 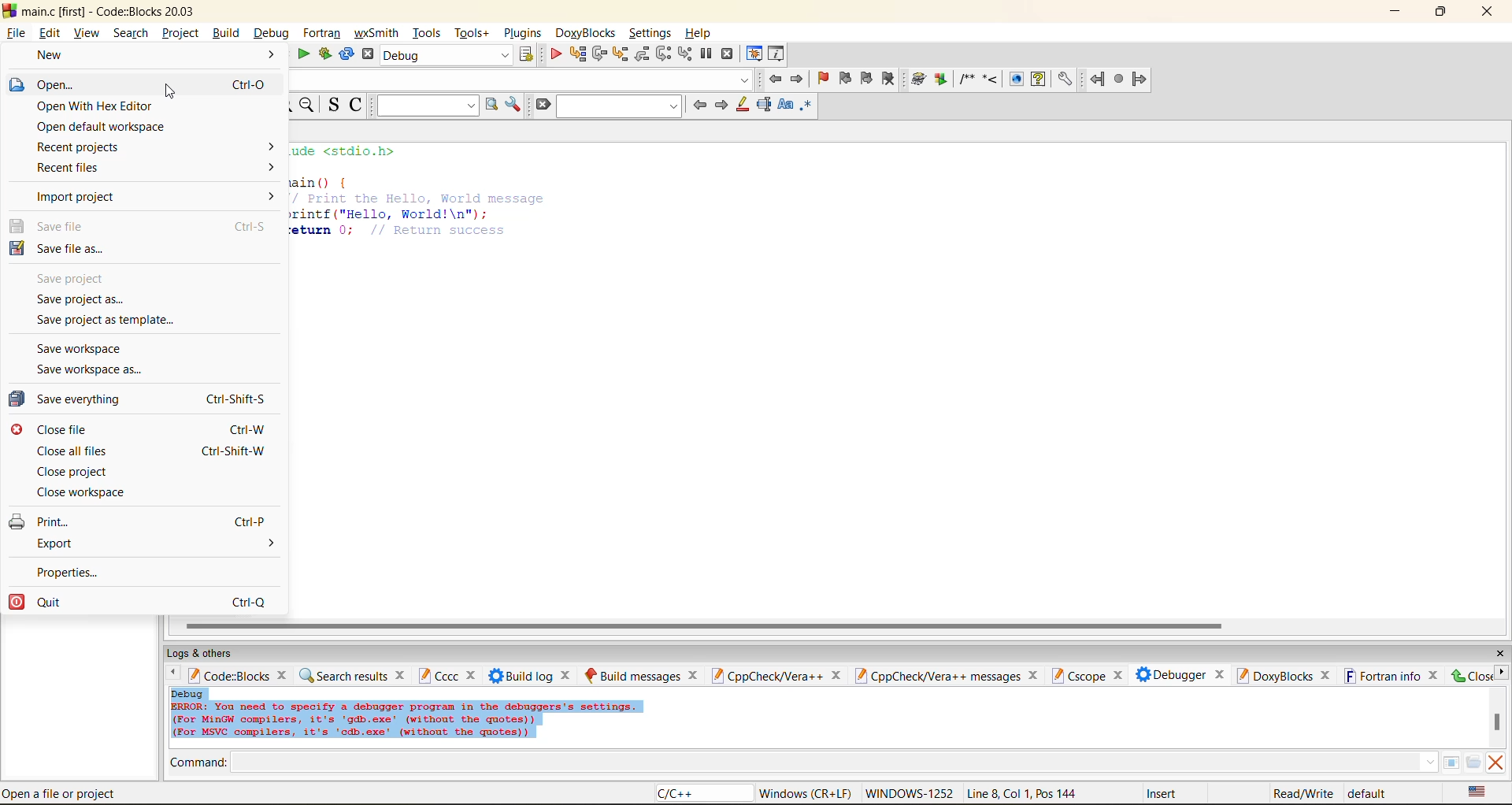 I want to click on Print the Hello, world message, so click(x=417, y=198).